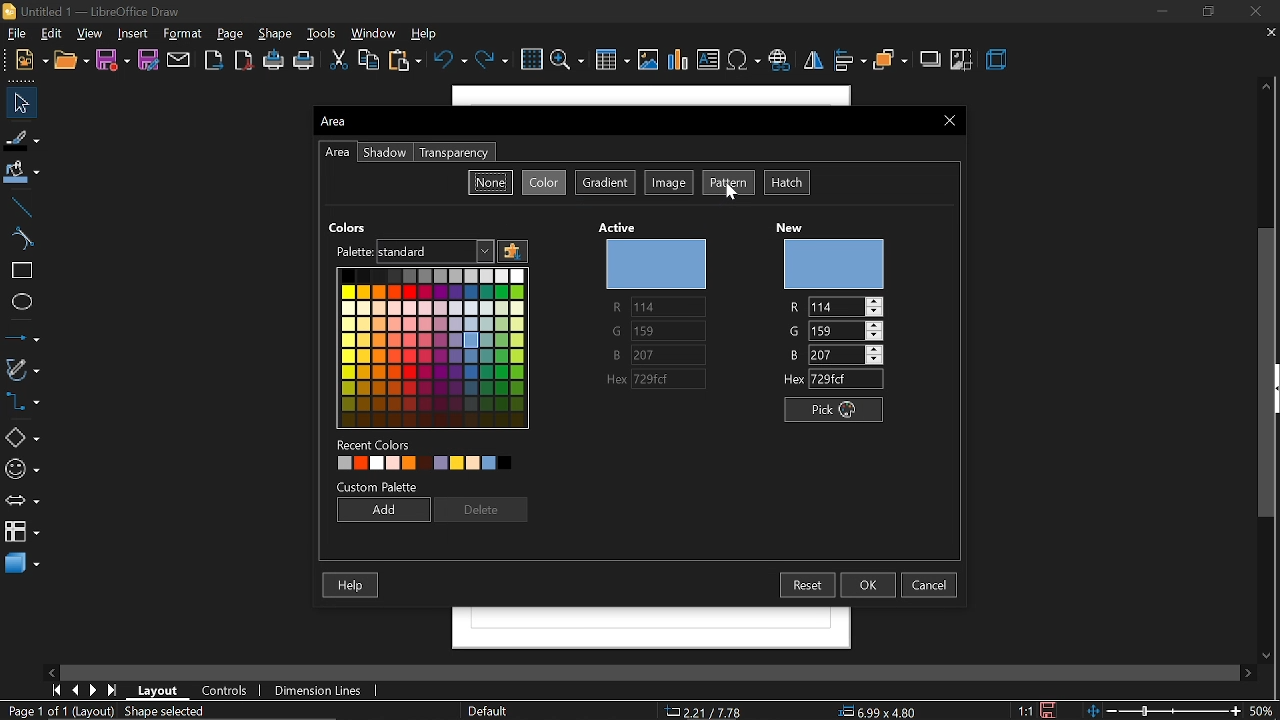 This screenshot has width=1280, height=720. What do you see at coordinates (795, 354) in the screenshot?
I see `B` at bounding box center [795, 354].